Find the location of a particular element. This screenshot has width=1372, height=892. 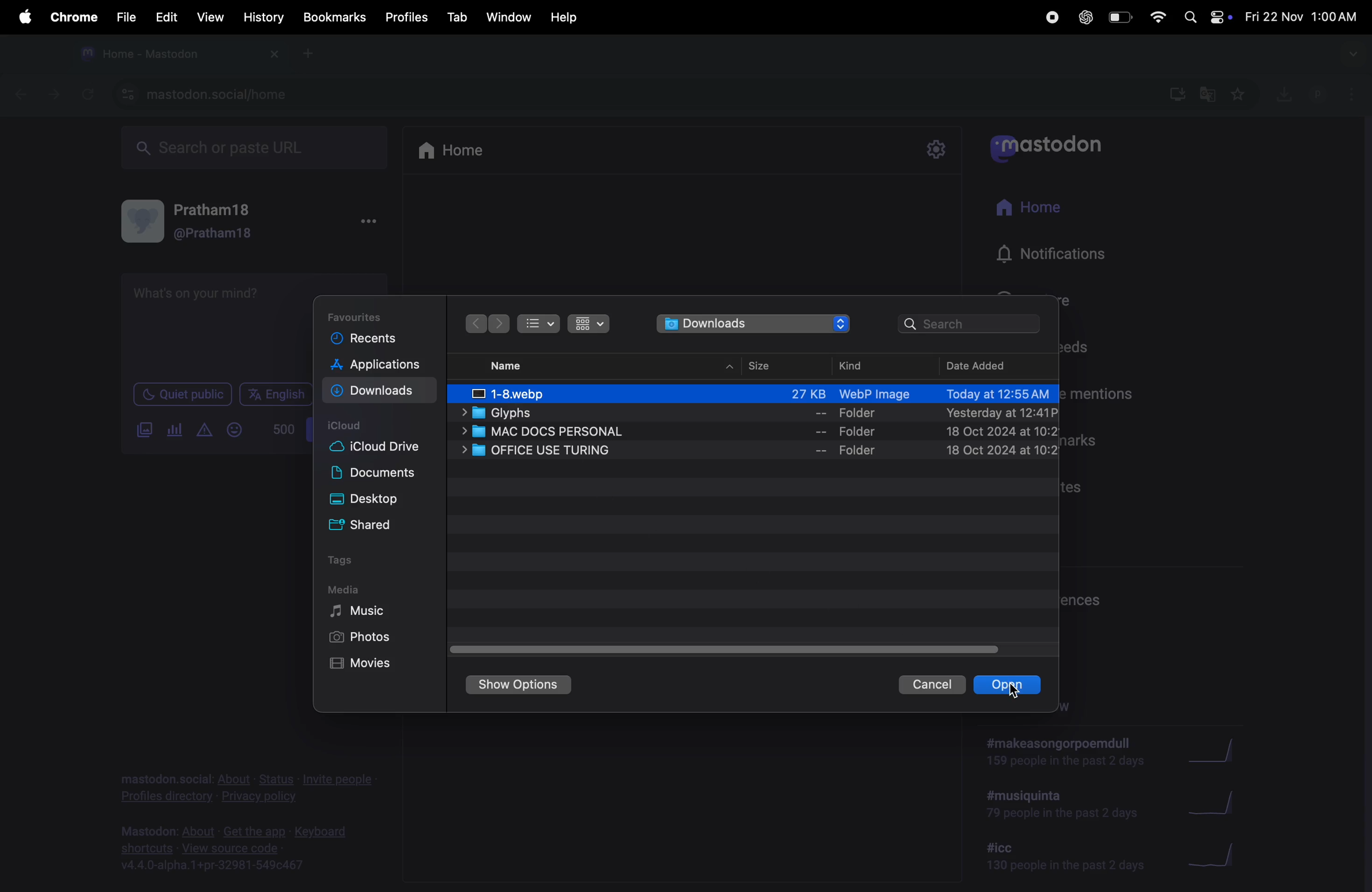

content warning is located at coordinates (202, 432).